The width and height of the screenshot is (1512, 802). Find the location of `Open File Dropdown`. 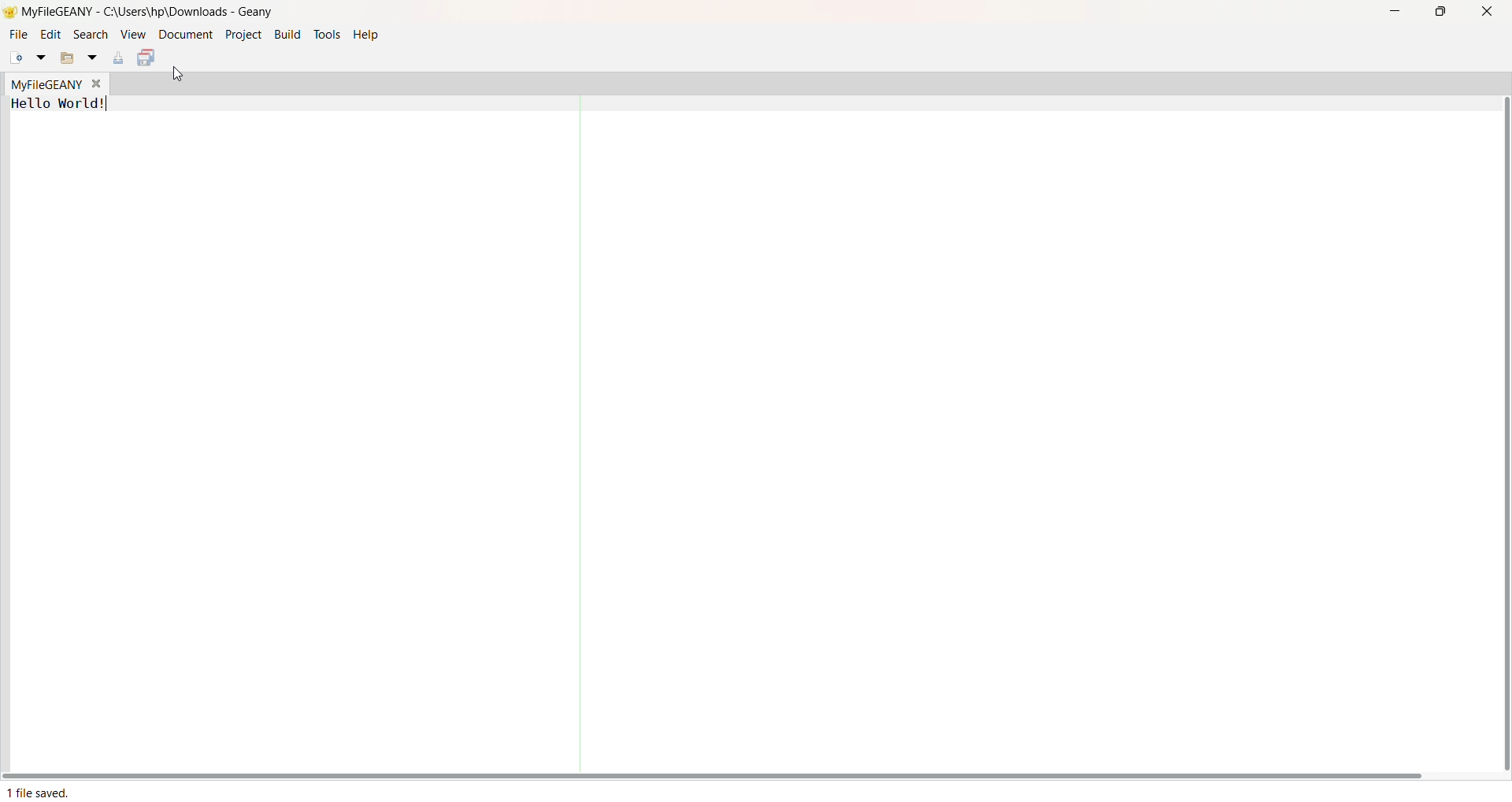

Open File Dropdown is located at coordinates (93, 58).